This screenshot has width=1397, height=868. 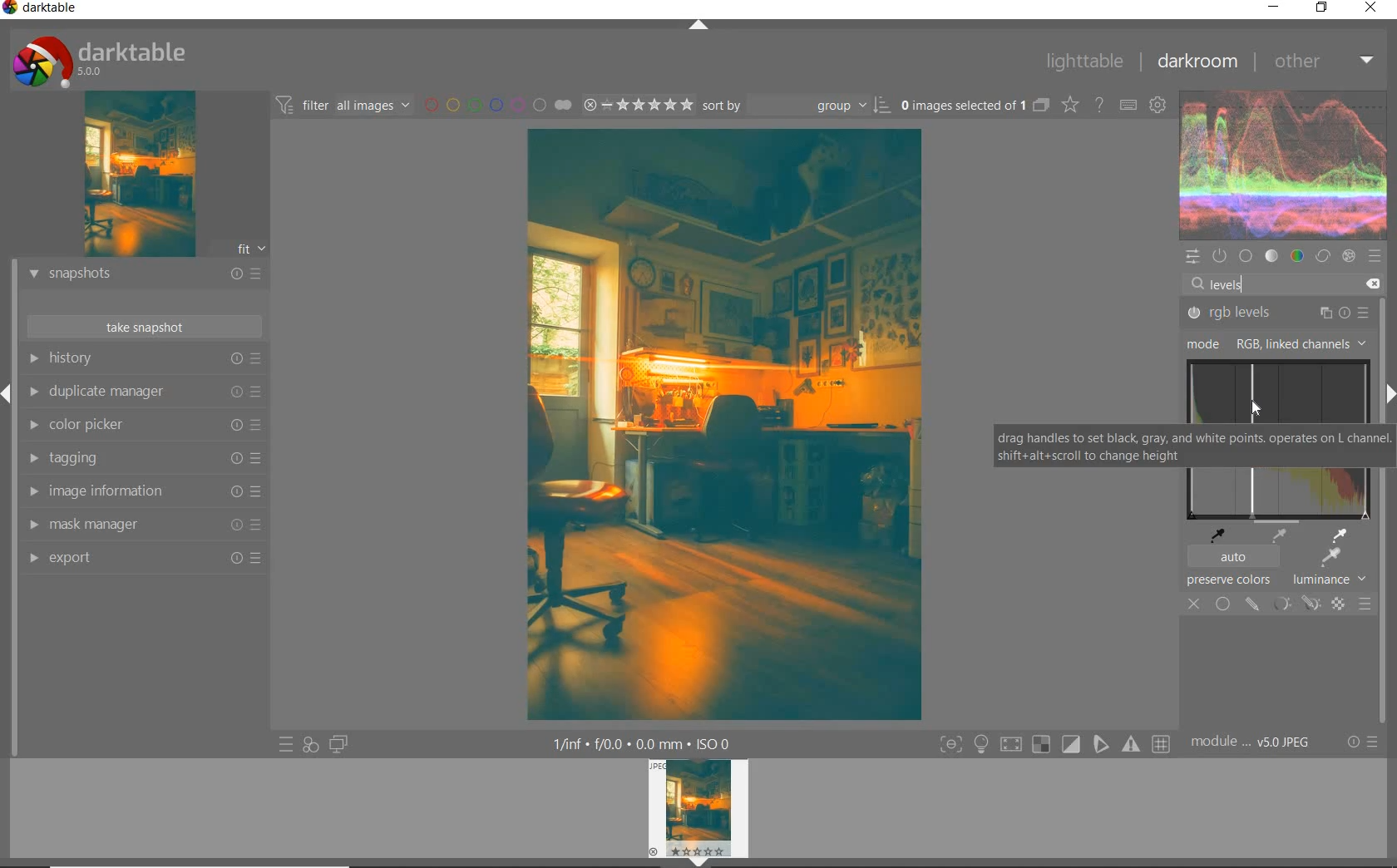 What do you see at coordinates (1182, 446) in the screenshot?
I see `drag handles to set black, gray, and white points operates on L channel. shift+alt+scroll to change height` at bounding box center [1182, 446].